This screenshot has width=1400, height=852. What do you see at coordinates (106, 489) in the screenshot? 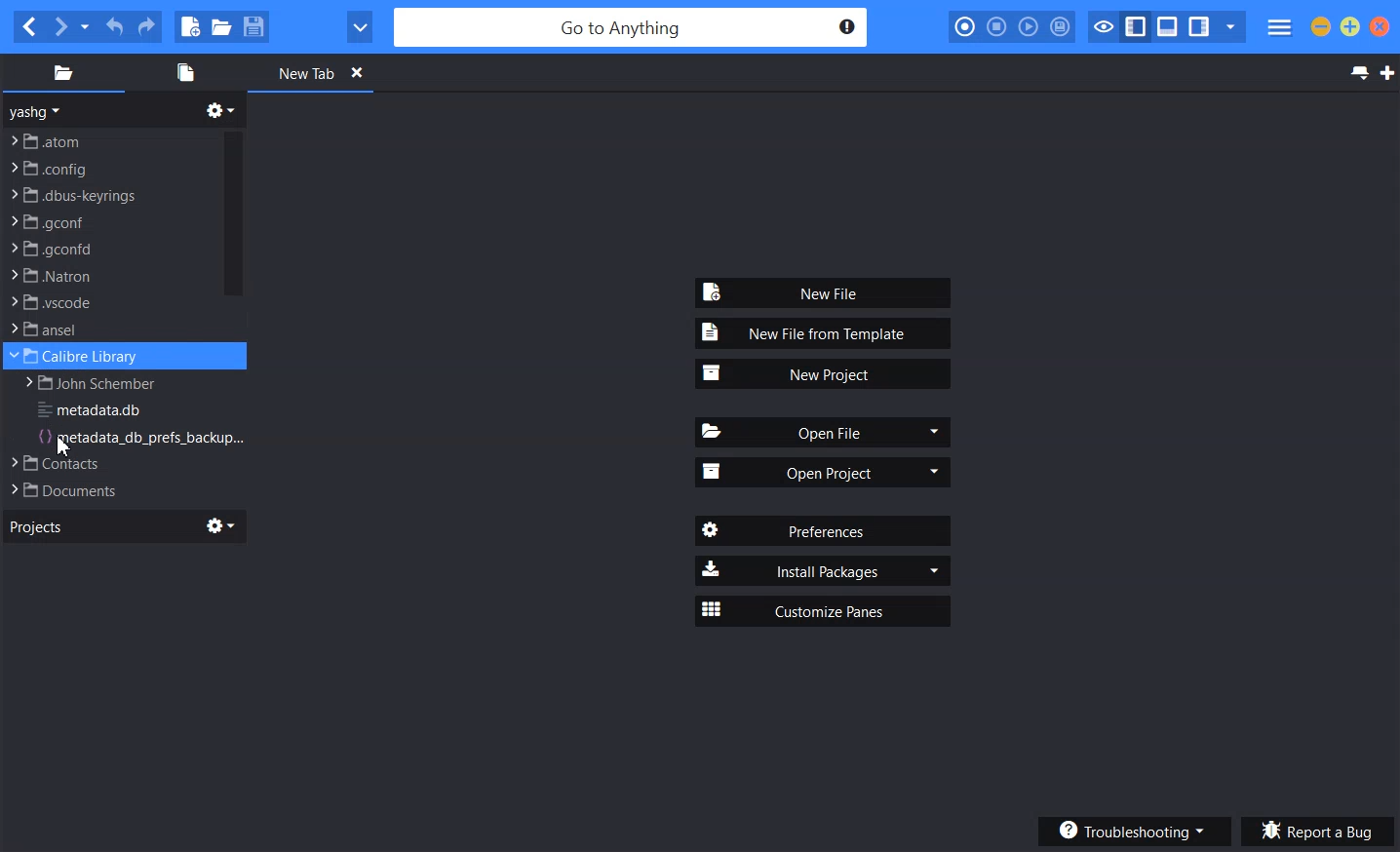
I see `File` at bounding box center [106, 489].